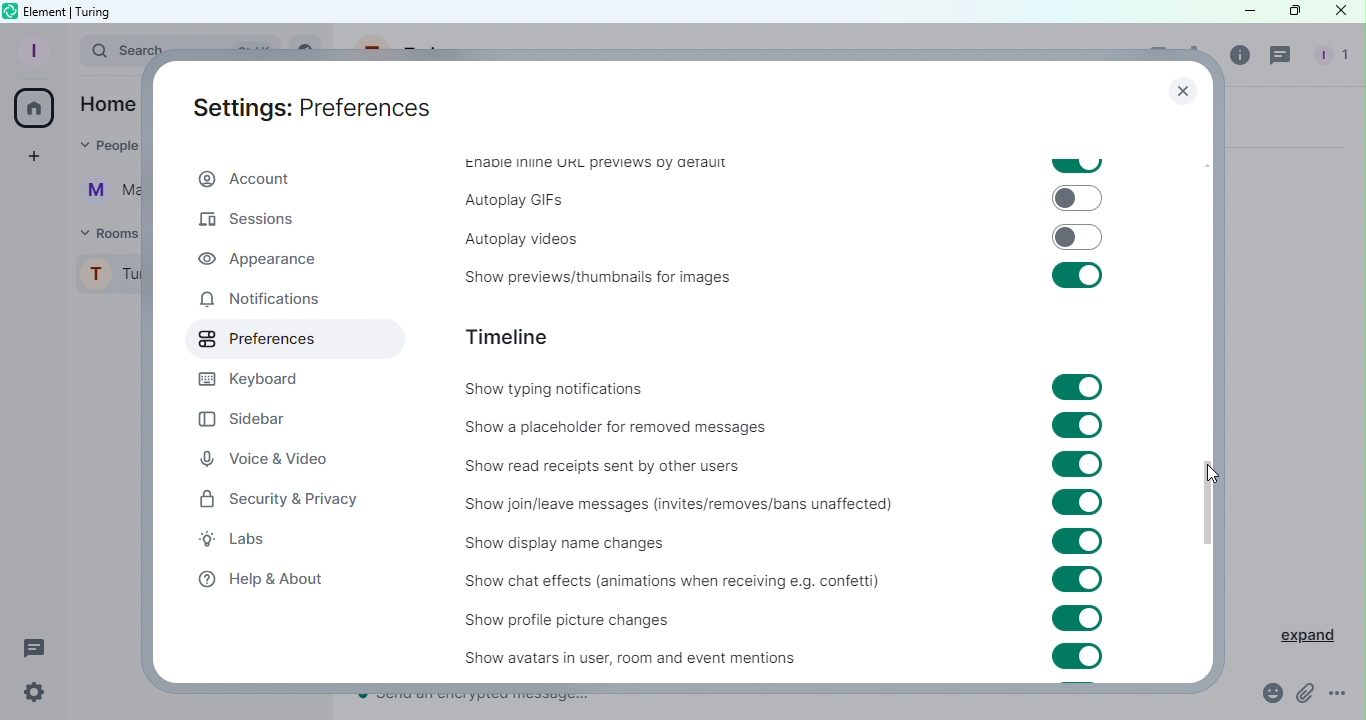 The width and height of the screenshot is (1366, 720). I want to click on turing, so click(96, 11).